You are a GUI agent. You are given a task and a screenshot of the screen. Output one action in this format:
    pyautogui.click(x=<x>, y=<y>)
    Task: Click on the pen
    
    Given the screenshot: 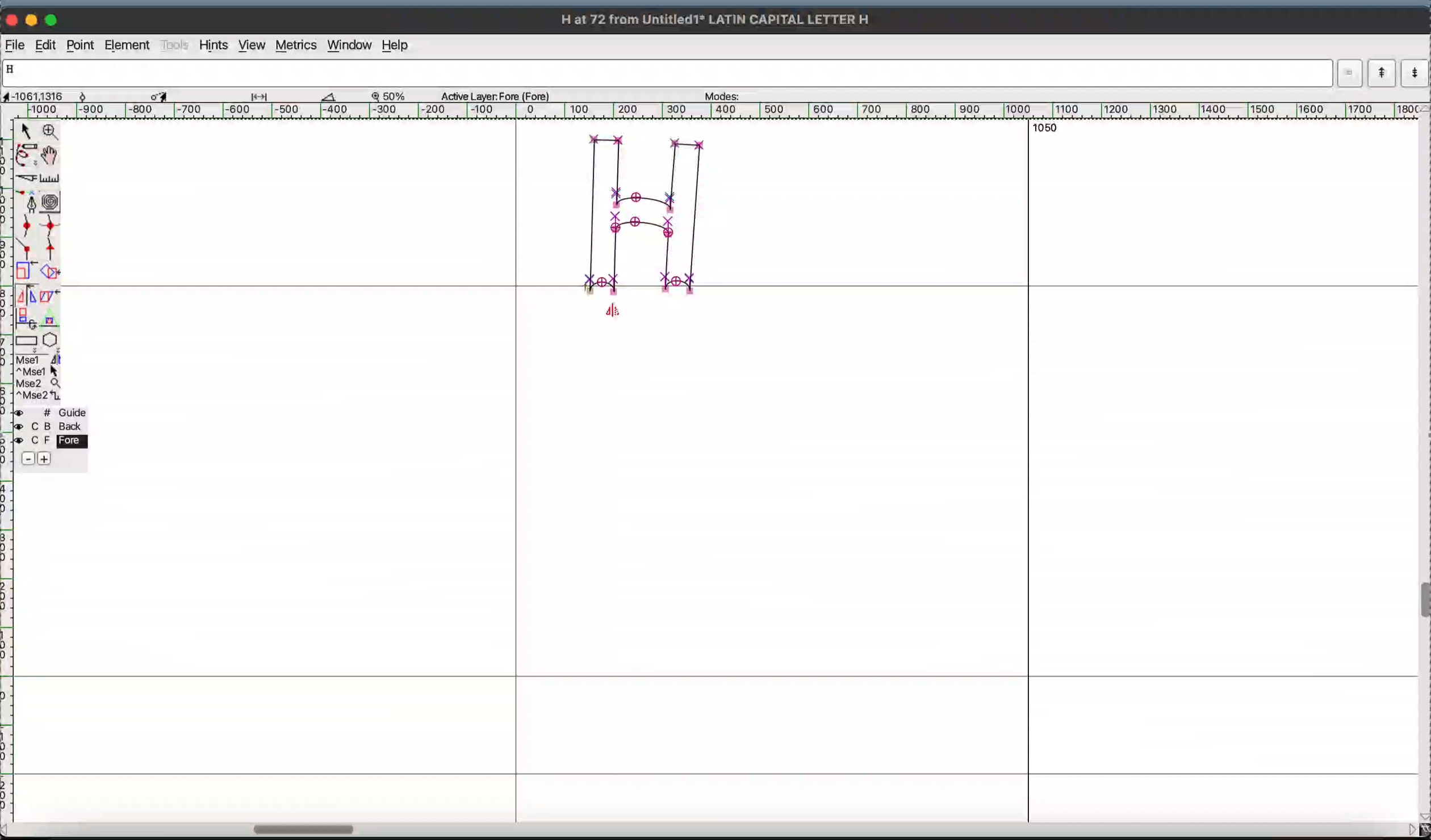 What is the action you would take?
    pyautogui.click(x=28, y=200)
    